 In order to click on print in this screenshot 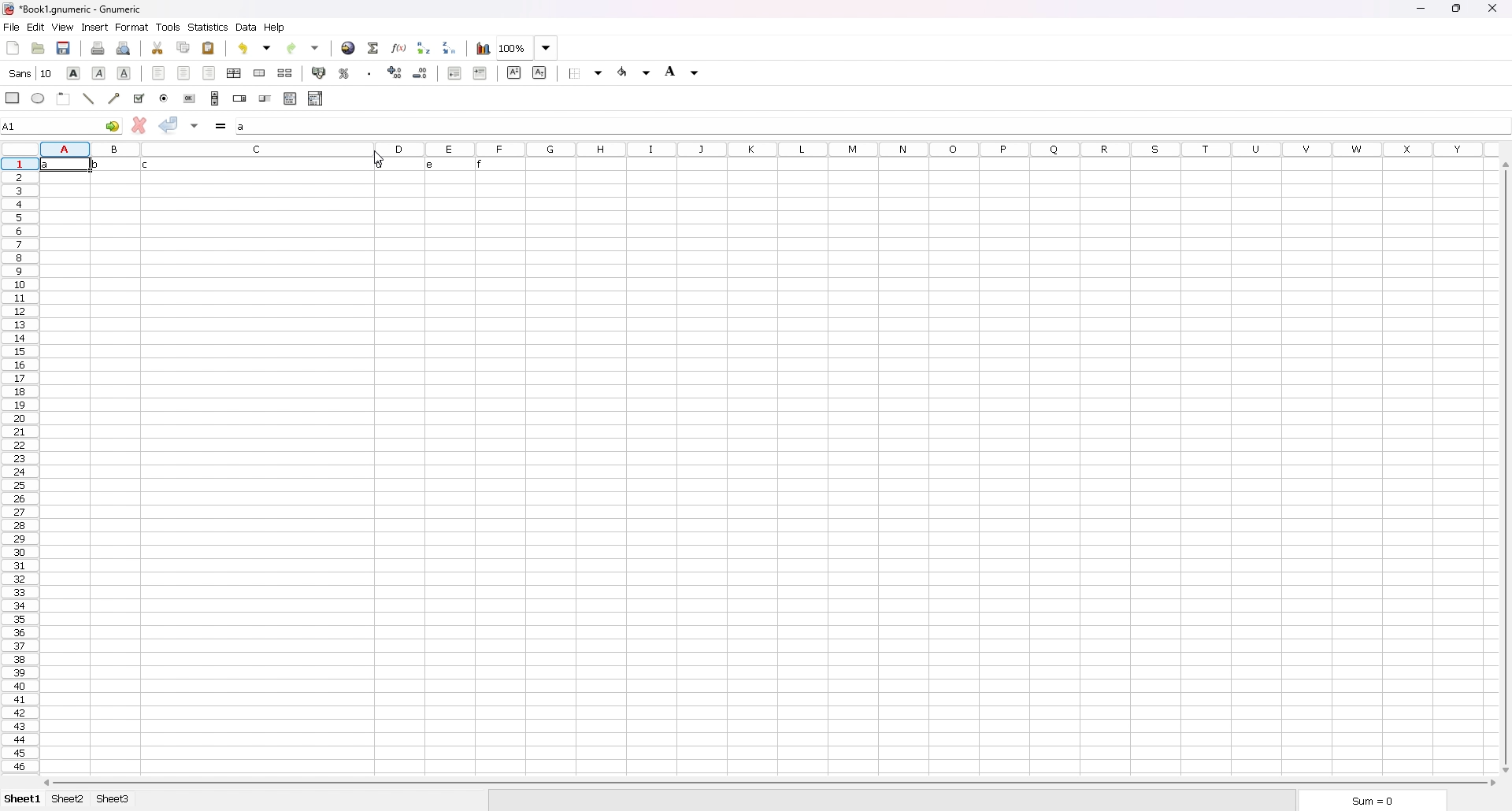, I will do `click(98, 47)`.